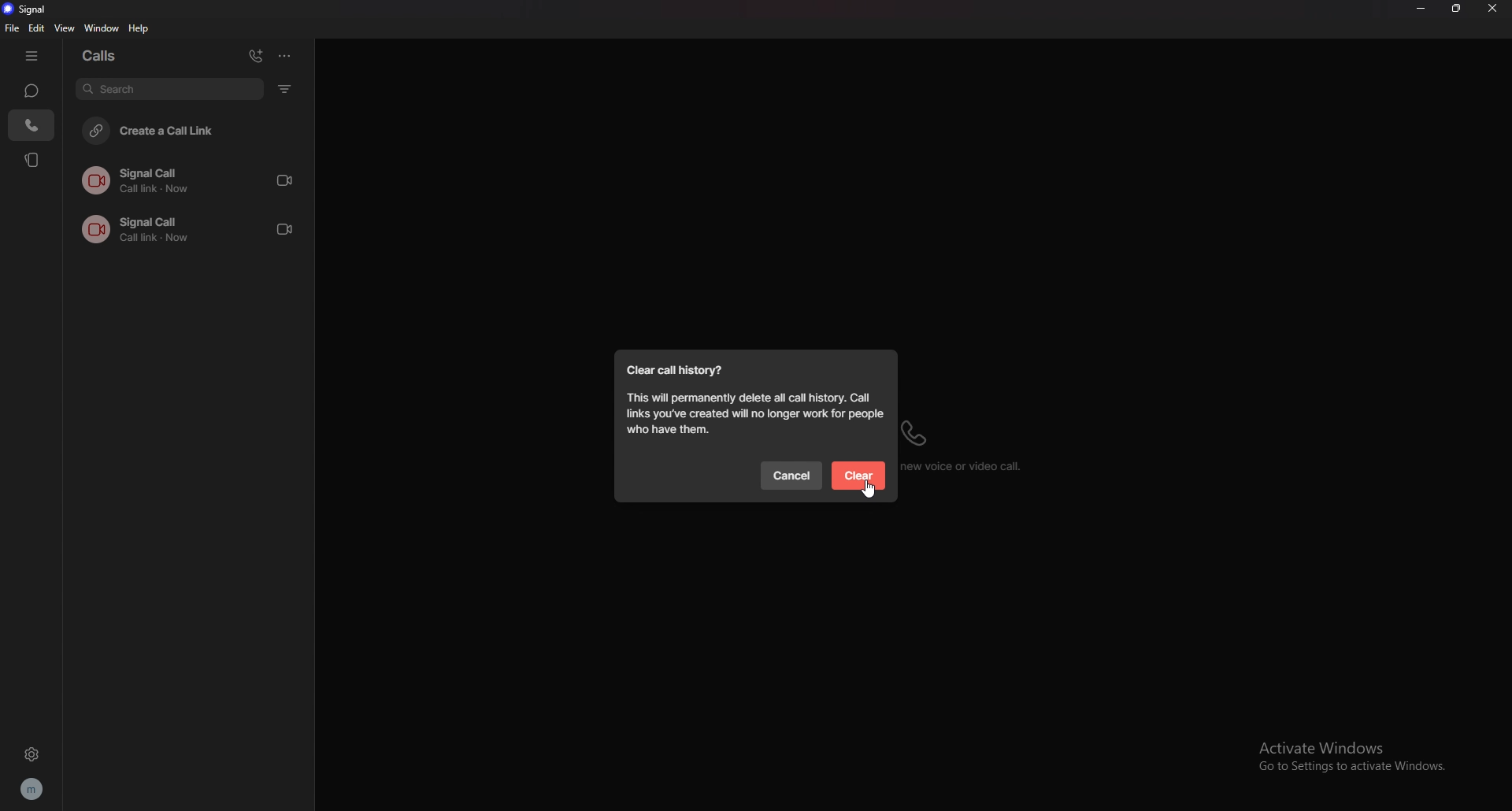 Image resolution: width=1512 pixels, height=811 pixels. Describe the element at coordinates (1421, 9) in the screenshot. I see `minimize` at that location.